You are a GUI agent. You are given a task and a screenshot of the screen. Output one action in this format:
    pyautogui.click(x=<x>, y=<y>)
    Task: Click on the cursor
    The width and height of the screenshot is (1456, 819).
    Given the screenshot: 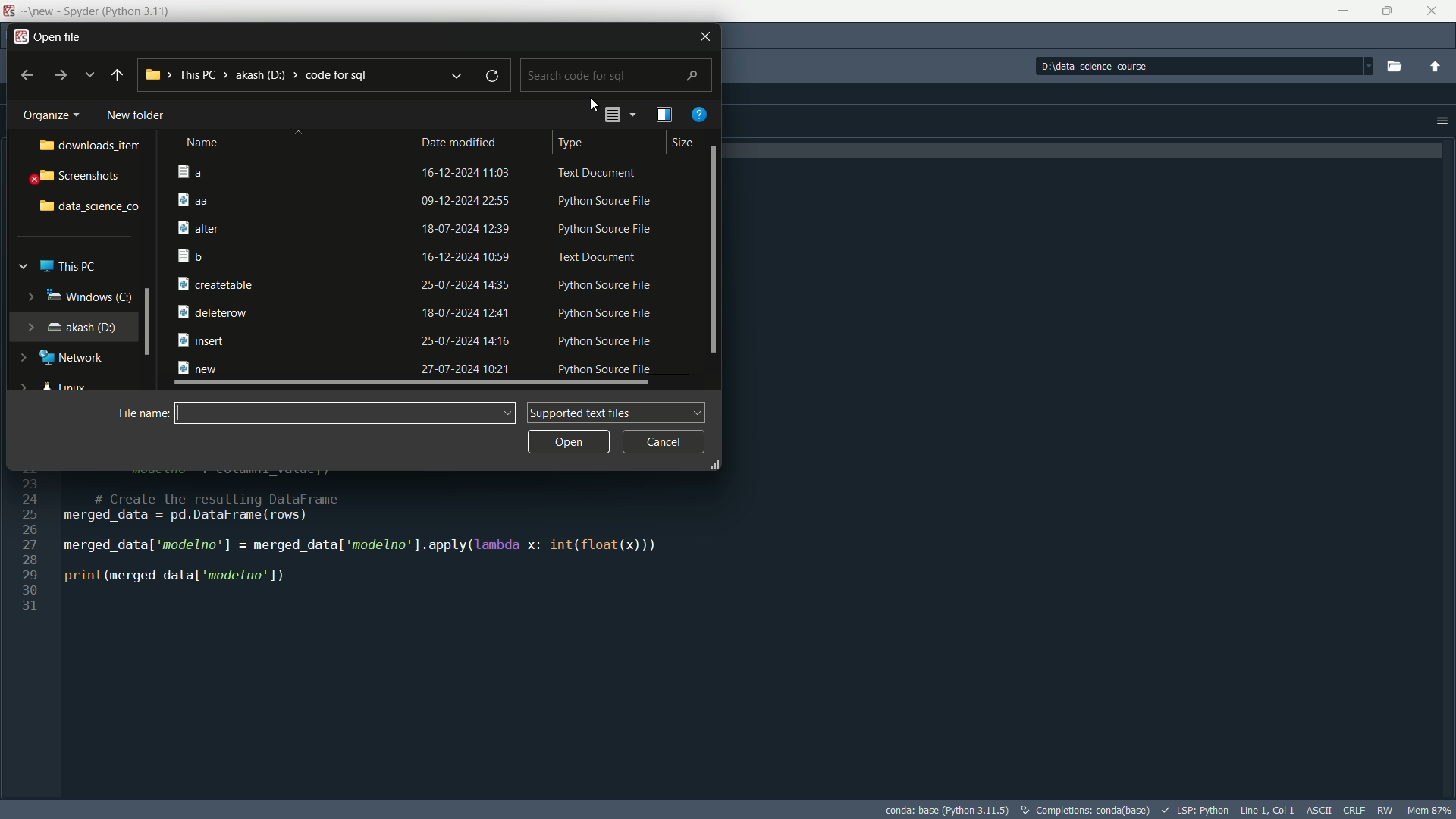 What is the action you would take?
    pyautogui.click(x=595, y=106)
    